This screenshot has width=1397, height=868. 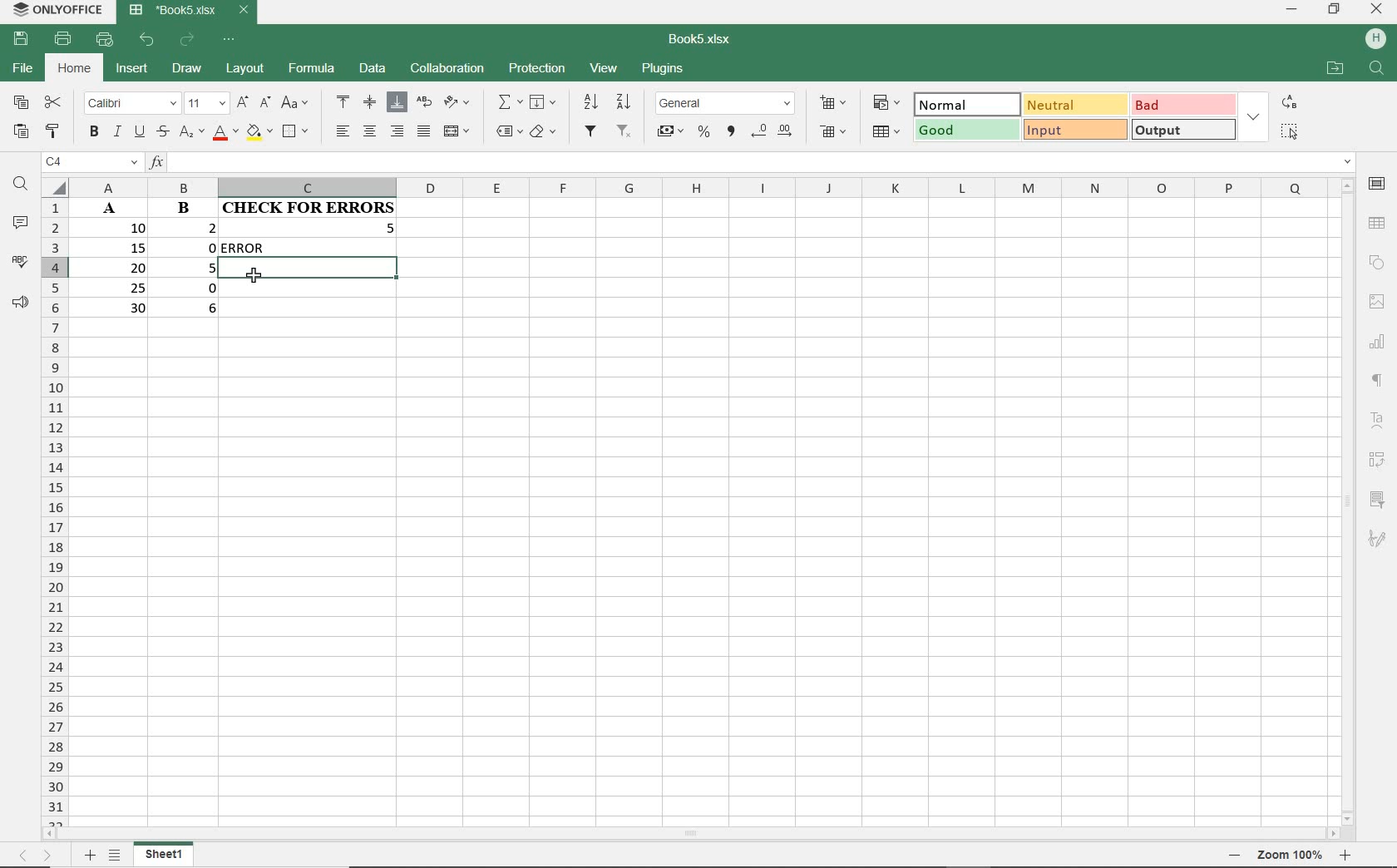 What do you see at coordinates (53, 104) in the screenshot?
I see `CUT` at bounding box center [53, 104].